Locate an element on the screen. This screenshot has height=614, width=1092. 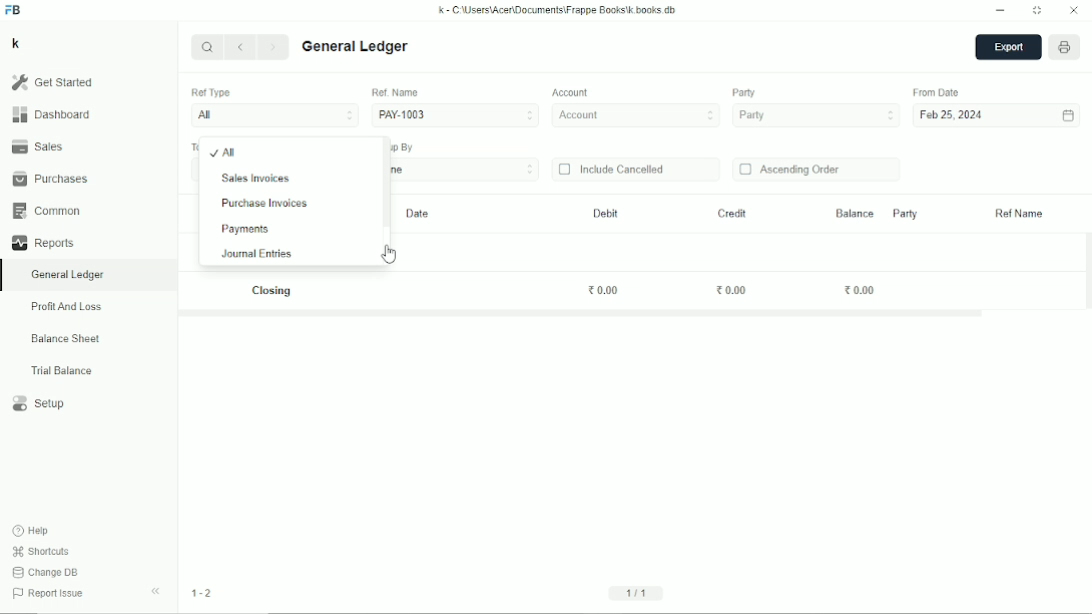
Profit and loss is located at coordinates (66, 307).